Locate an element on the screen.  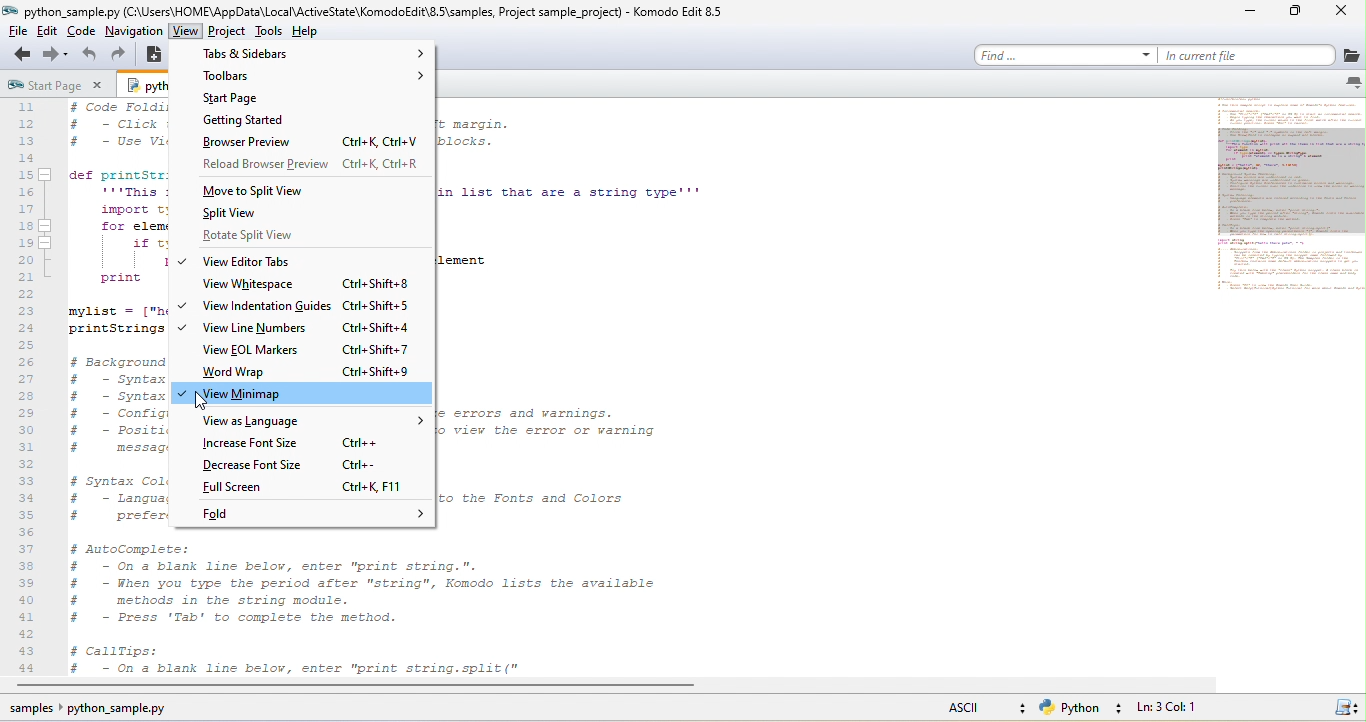
ascii is located at coordinates (981, 706).